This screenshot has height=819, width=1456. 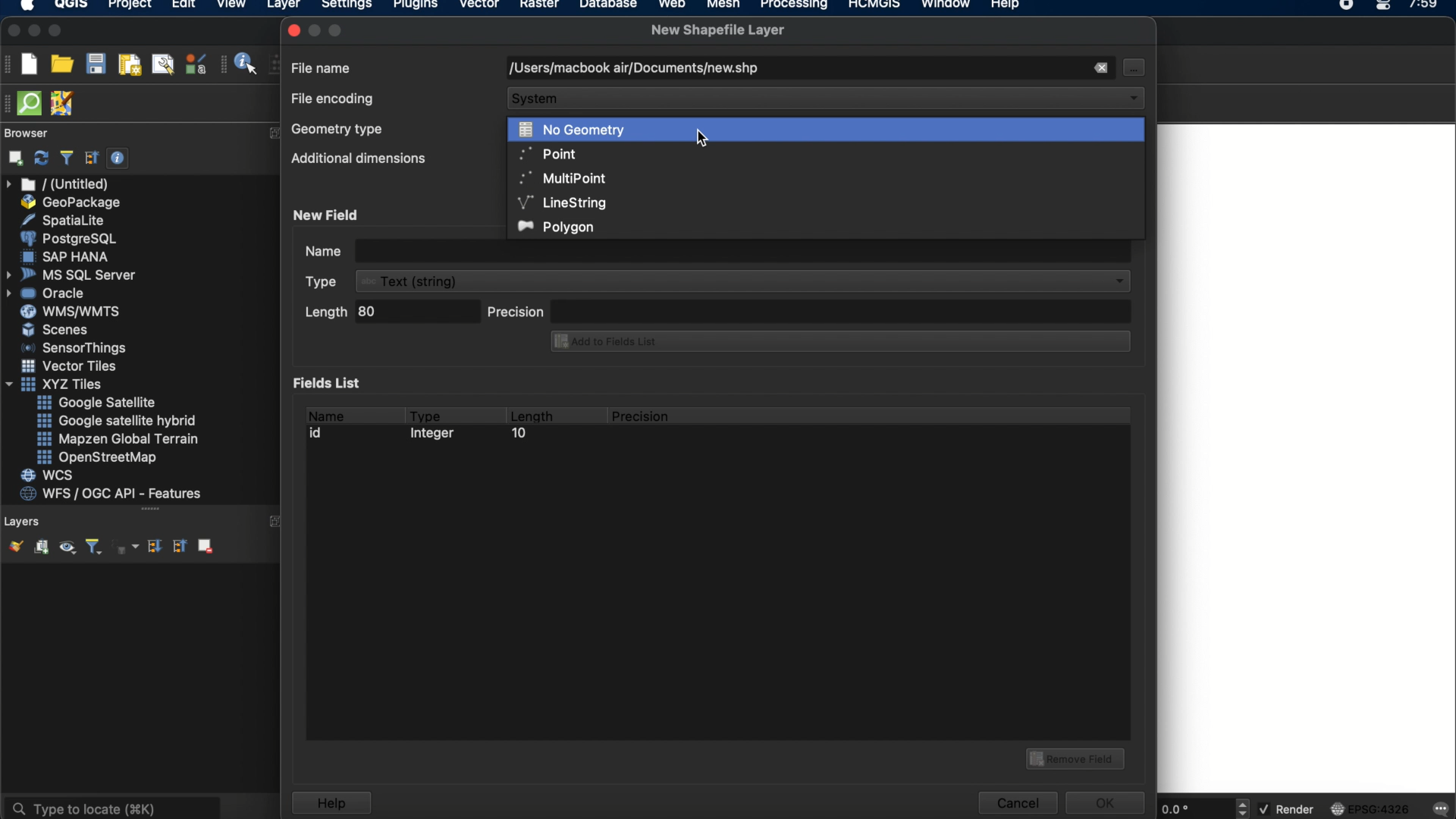 What do you see at coordinates (64, 104) in the screenshot?
I see `JOSM remote` at bounding box center [64, 104].